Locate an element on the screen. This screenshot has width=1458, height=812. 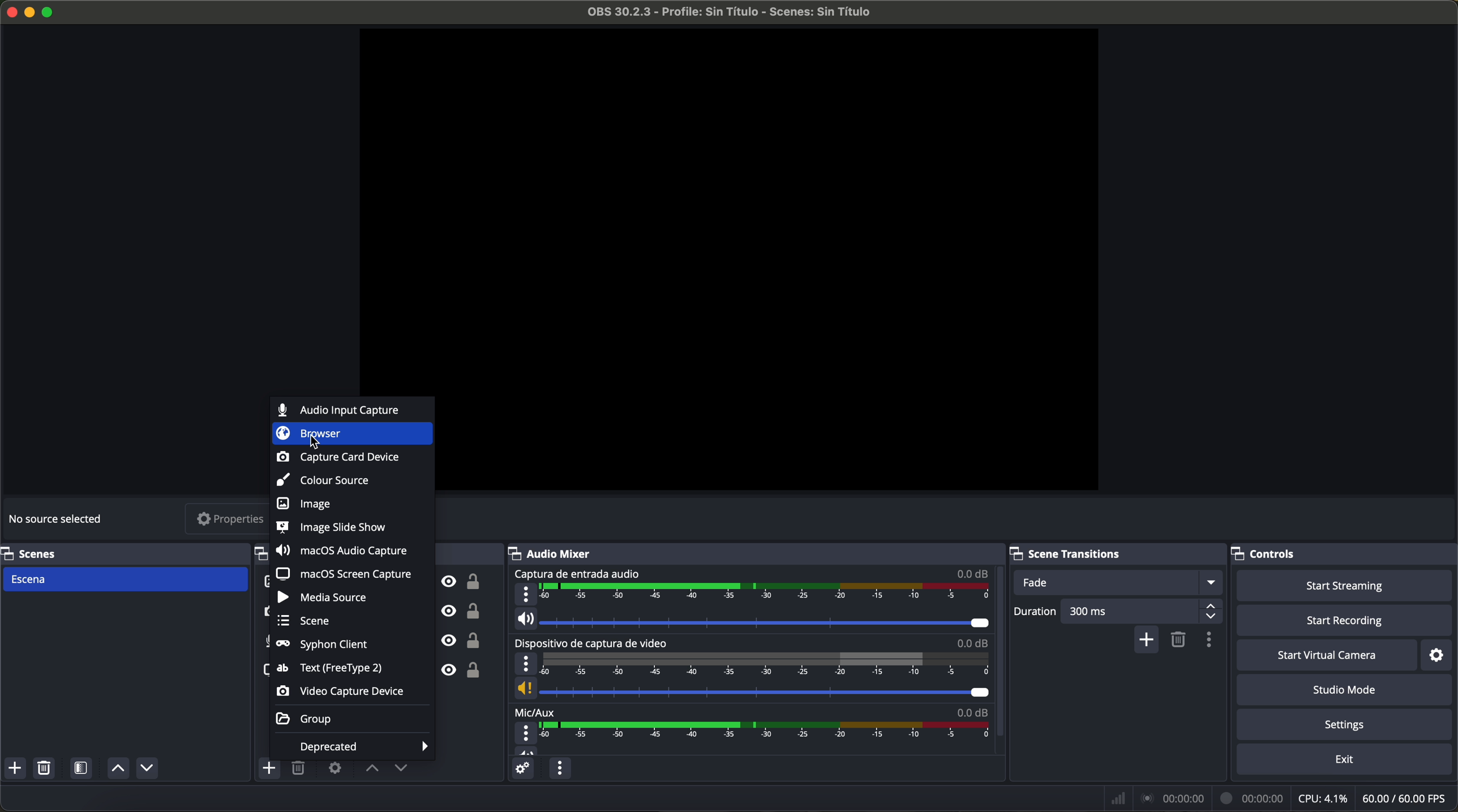
duration is located at coordinates (1037, 613).